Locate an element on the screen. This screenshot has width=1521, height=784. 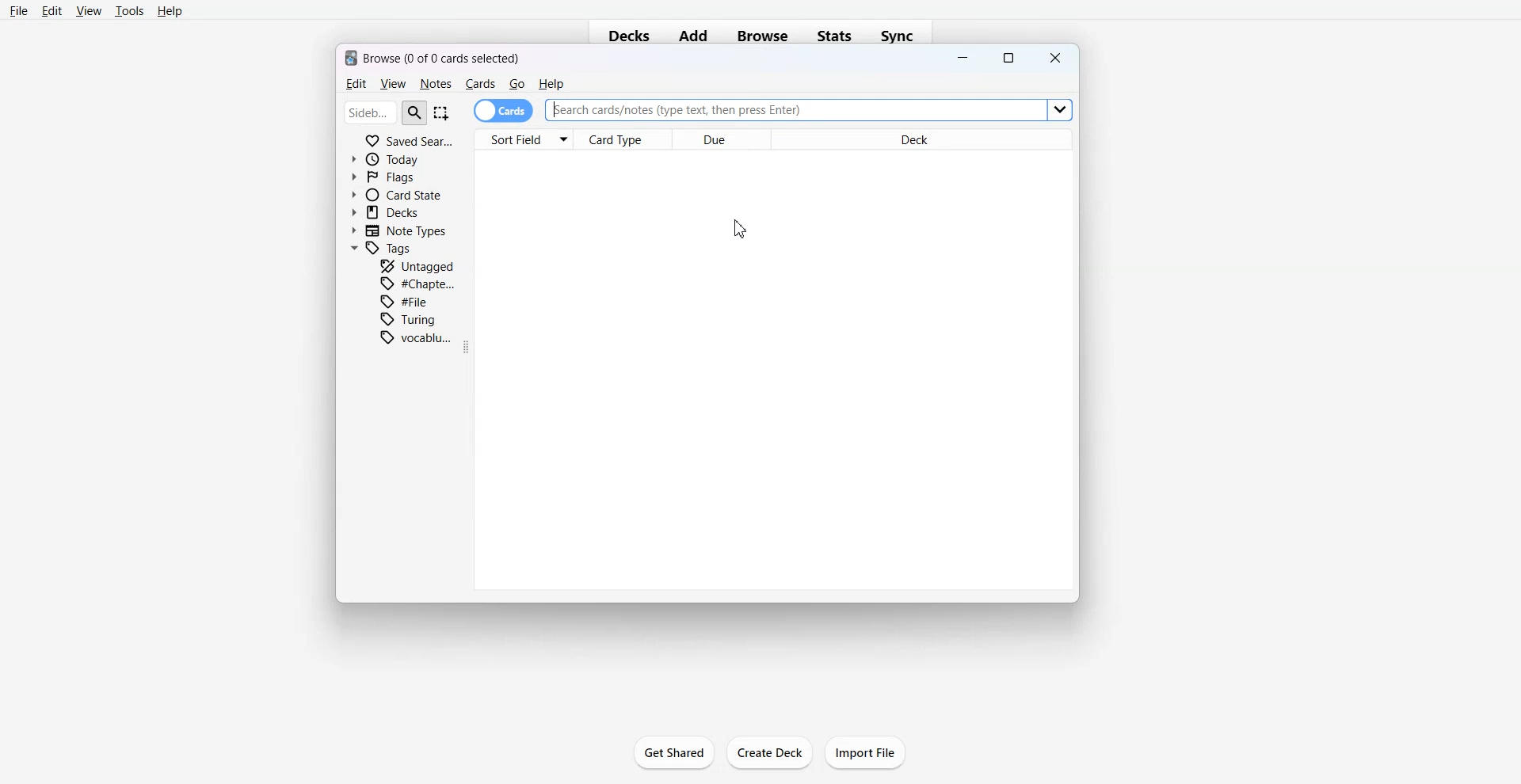
Close is located at coordinates (1054, 58).